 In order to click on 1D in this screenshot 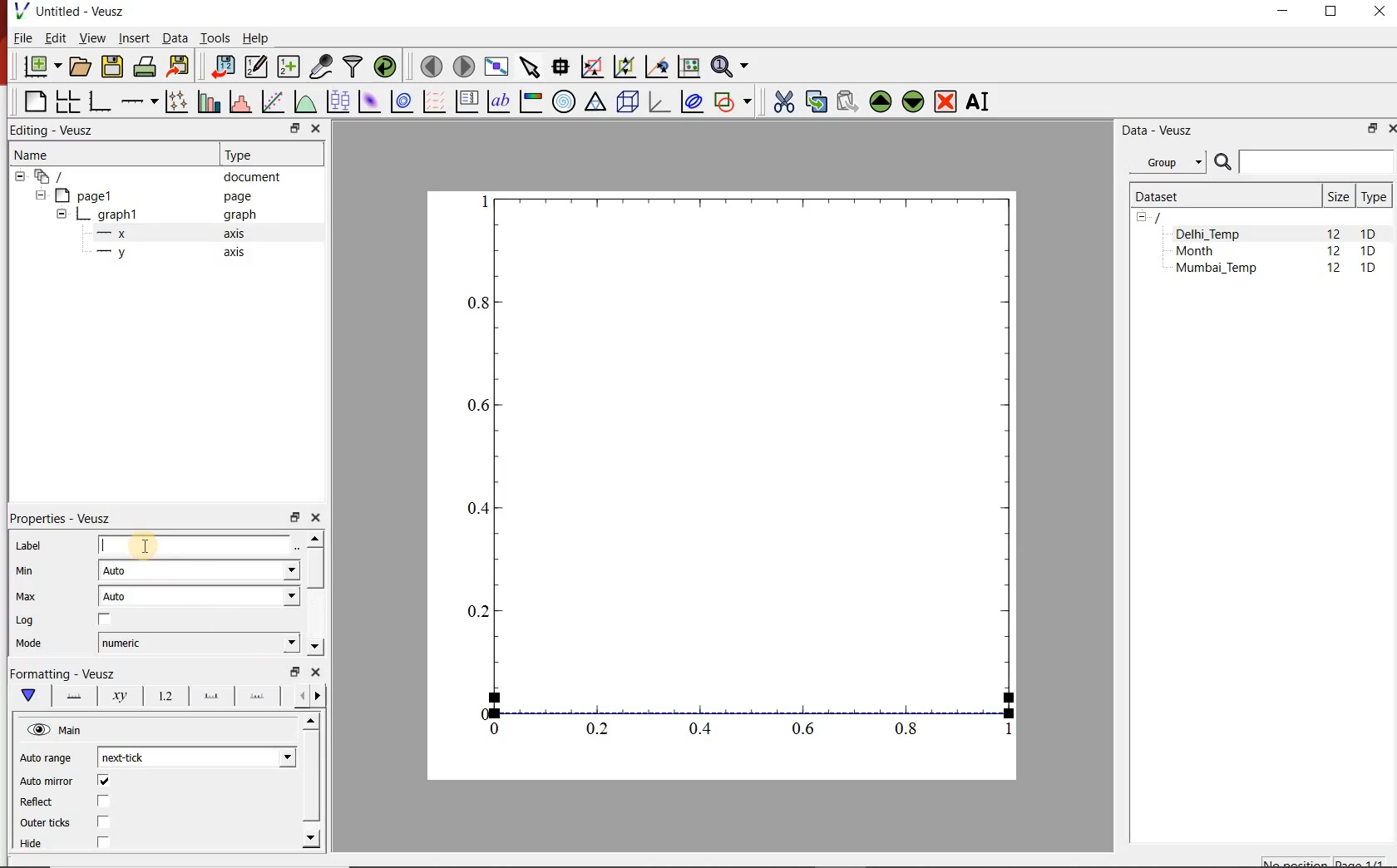, I will do `click(1368, 252)`.